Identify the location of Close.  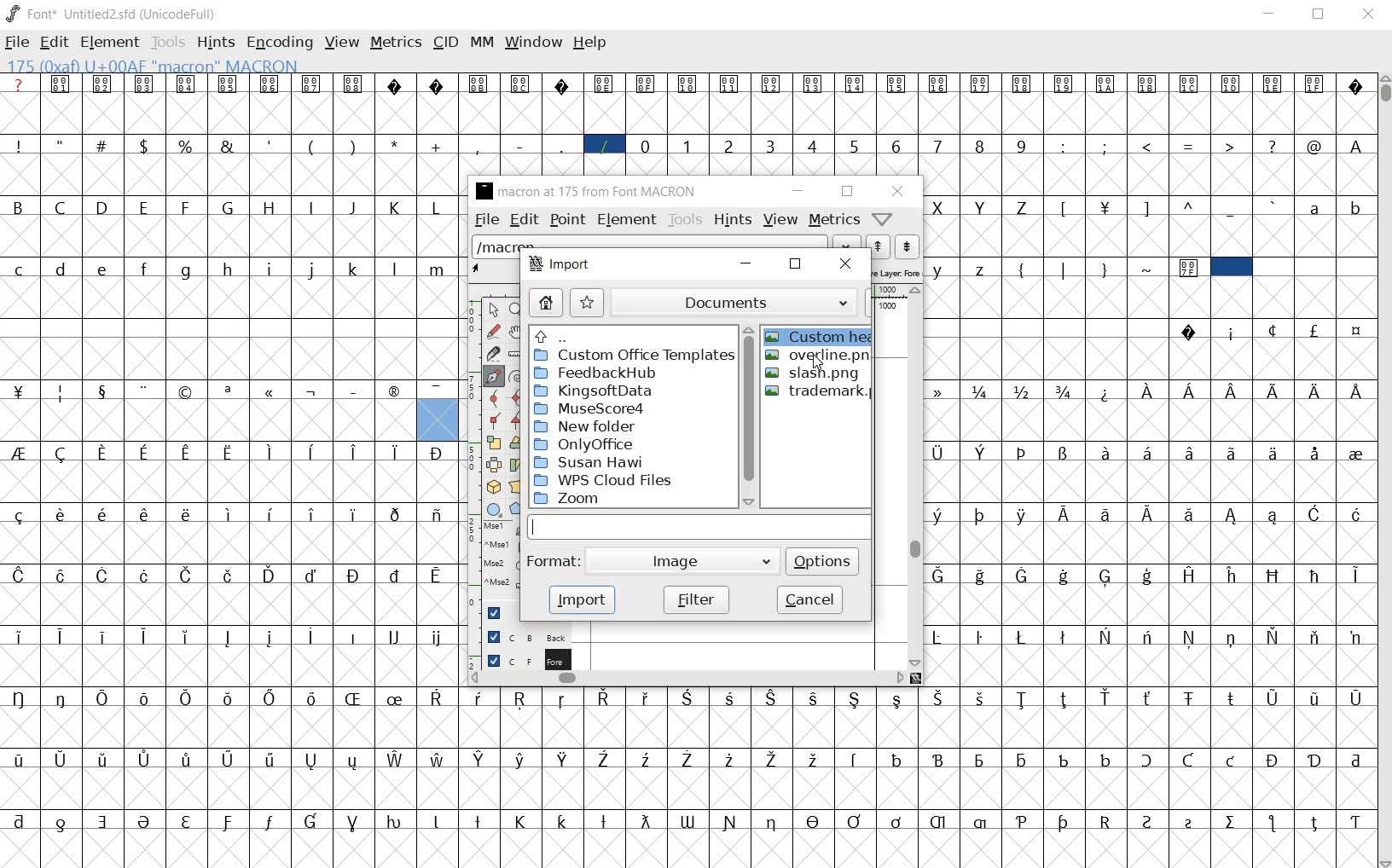
(1368, 14).